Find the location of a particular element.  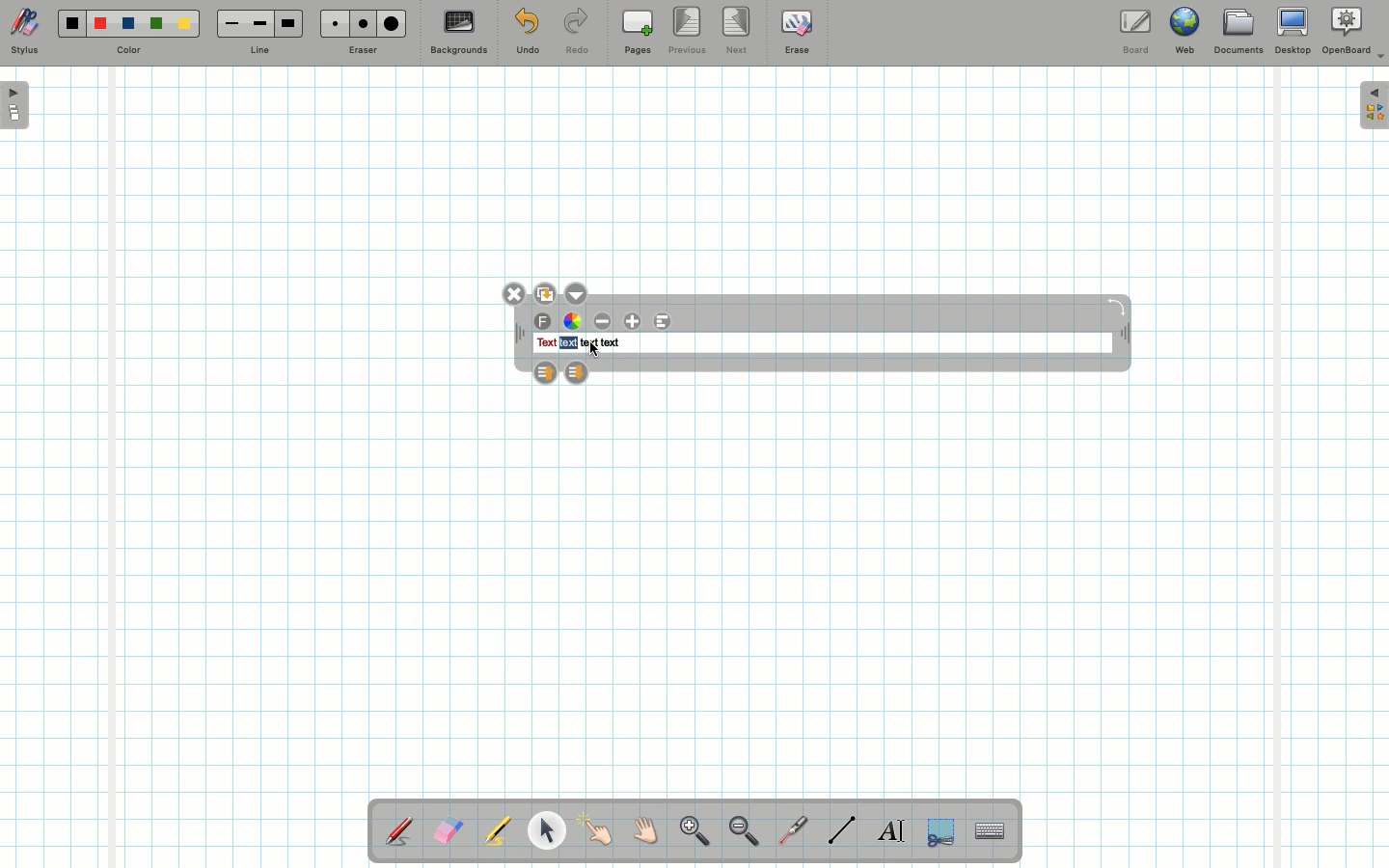

Decrease font size is located at coordinates (604, 321).